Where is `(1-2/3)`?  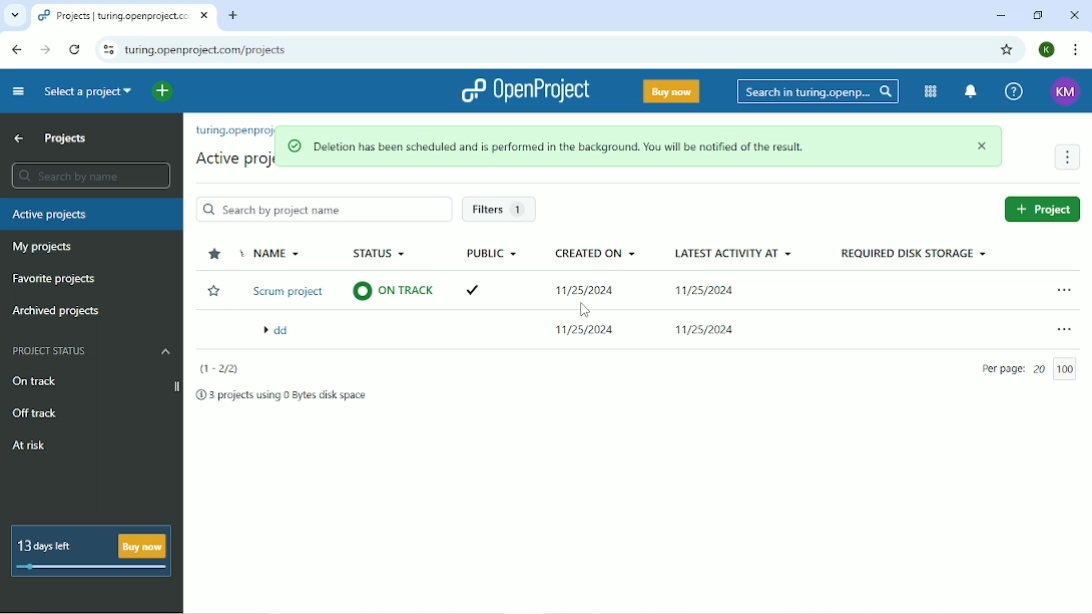 (1-2/3) is located at coordinates (220, 369).